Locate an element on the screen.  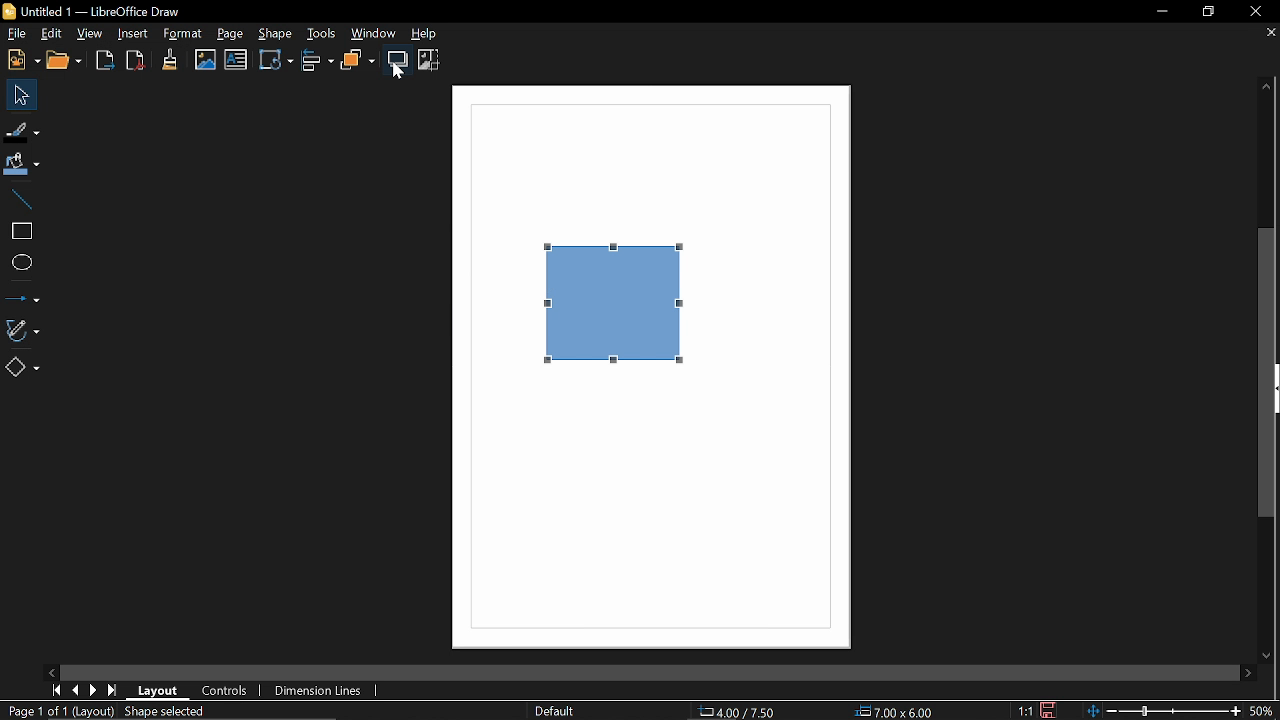
Shadow is located at coordinates (398, 60).